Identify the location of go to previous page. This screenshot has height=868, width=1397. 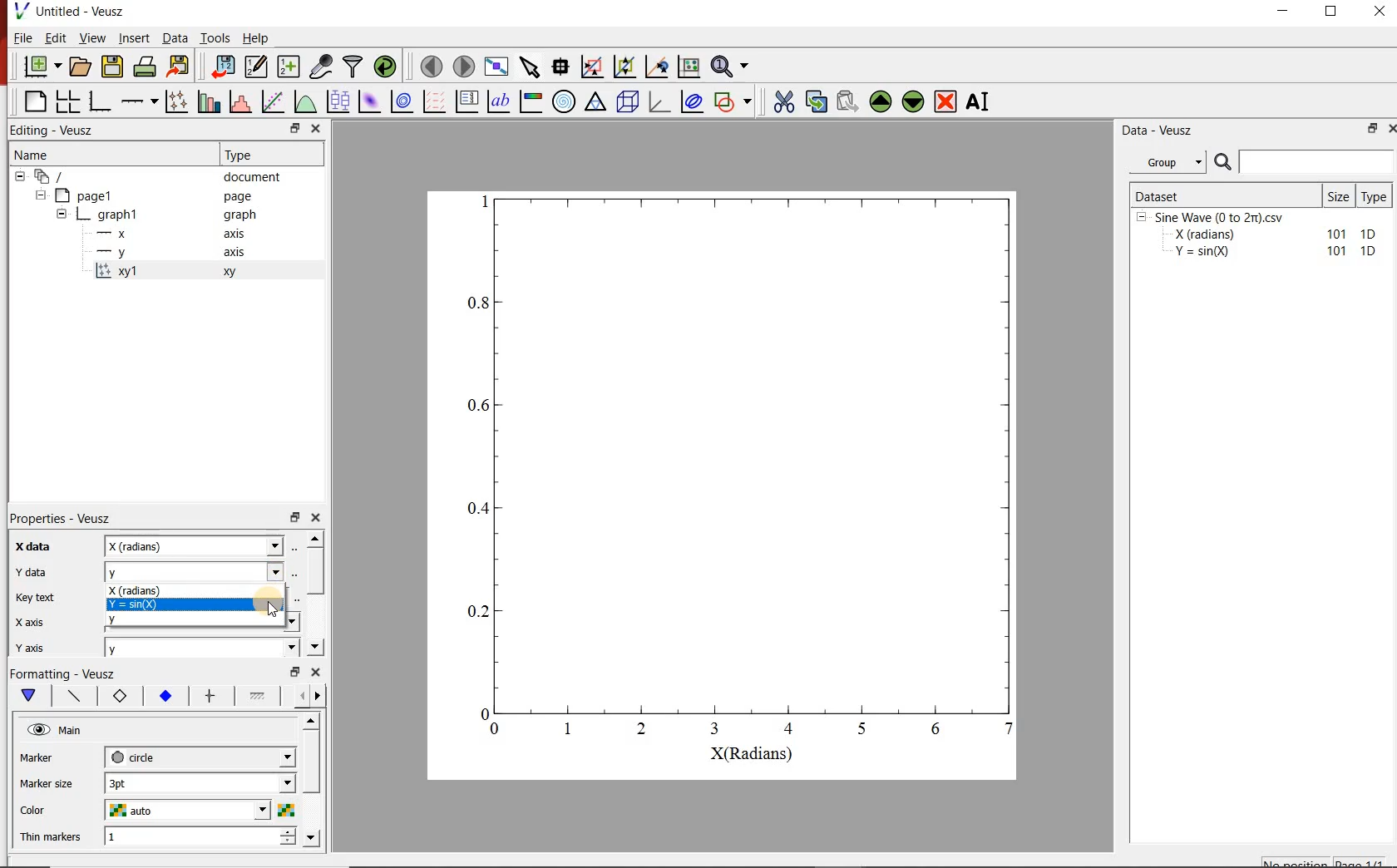
(431, 66).